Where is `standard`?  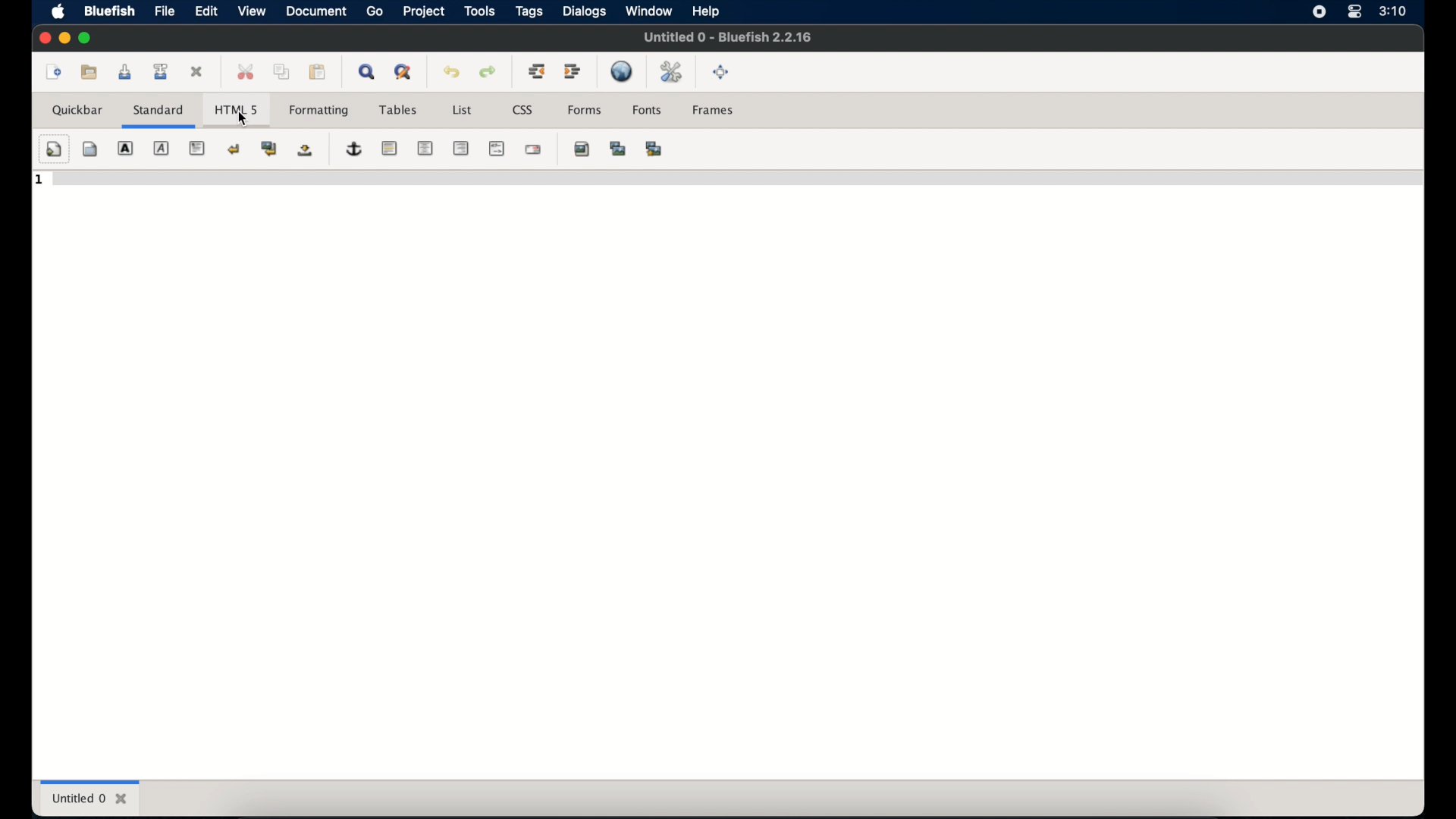
standard is located at coordinates (158, 116).